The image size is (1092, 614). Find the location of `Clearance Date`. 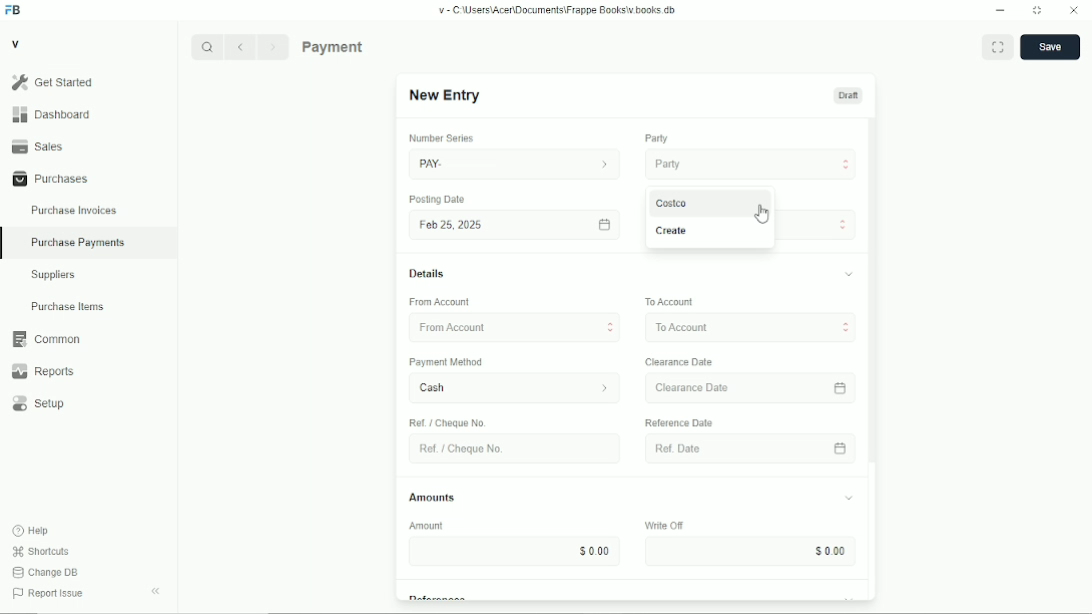

Clearance Date is located at coordinates (736, 388).